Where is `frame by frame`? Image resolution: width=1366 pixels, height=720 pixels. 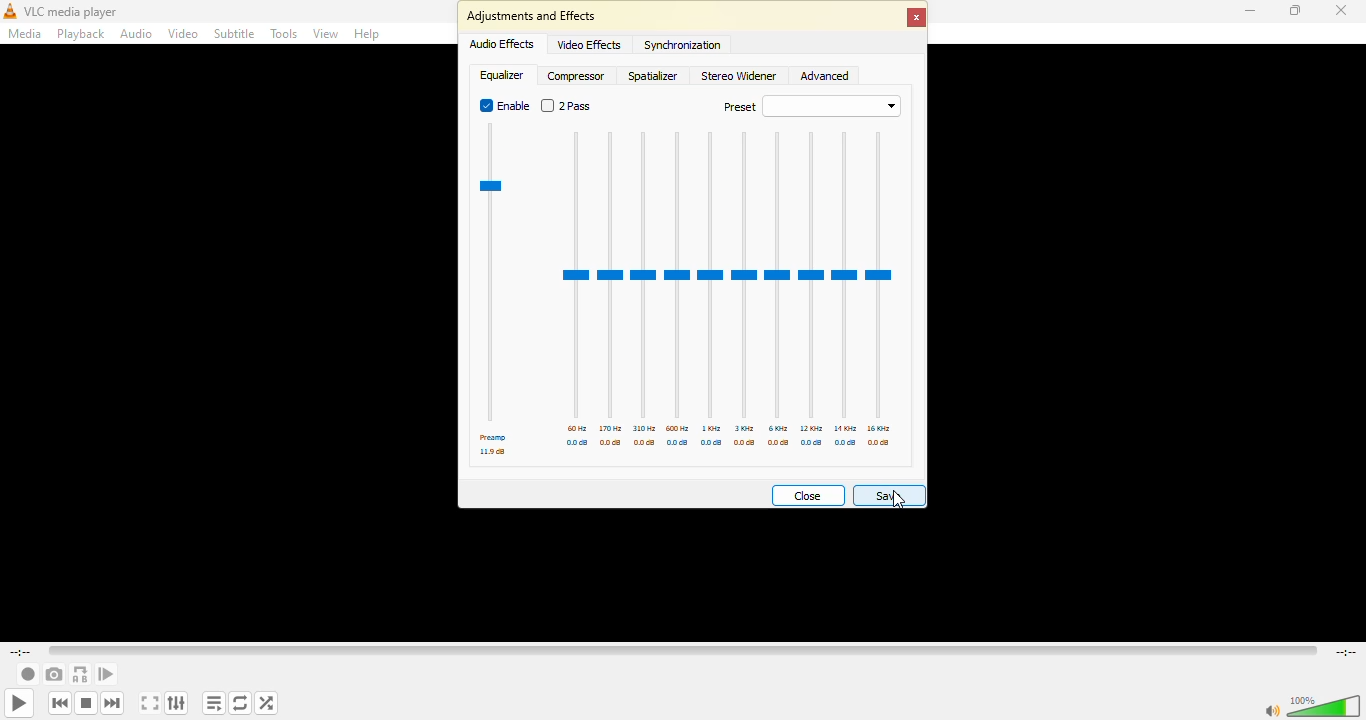 frame by frame is located at coordinates (106, 673).